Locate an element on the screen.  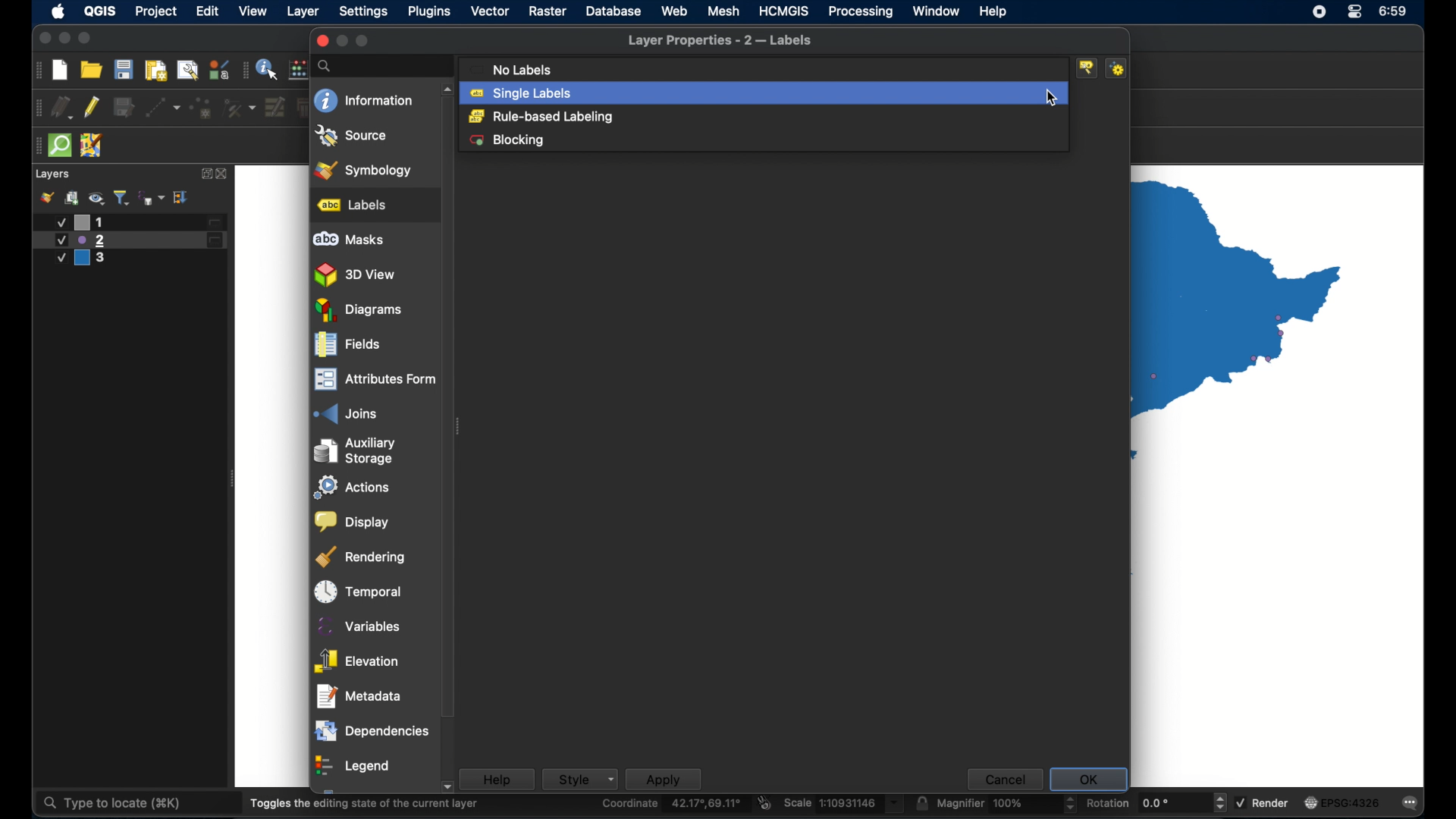
attributes form is located at coordinates (373, 379).